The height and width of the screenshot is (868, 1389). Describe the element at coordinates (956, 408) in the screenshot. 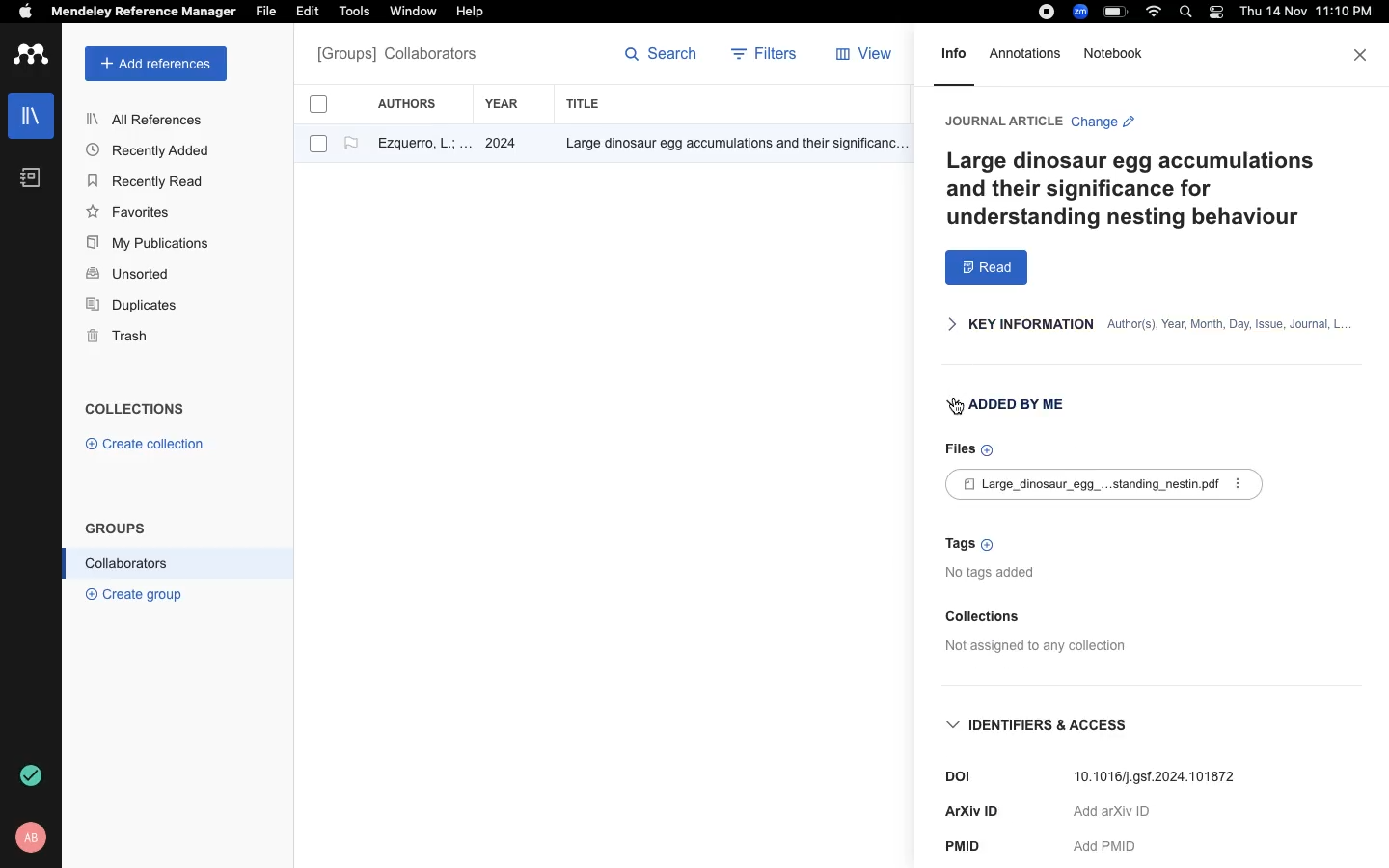

I see `cursor` at that location.